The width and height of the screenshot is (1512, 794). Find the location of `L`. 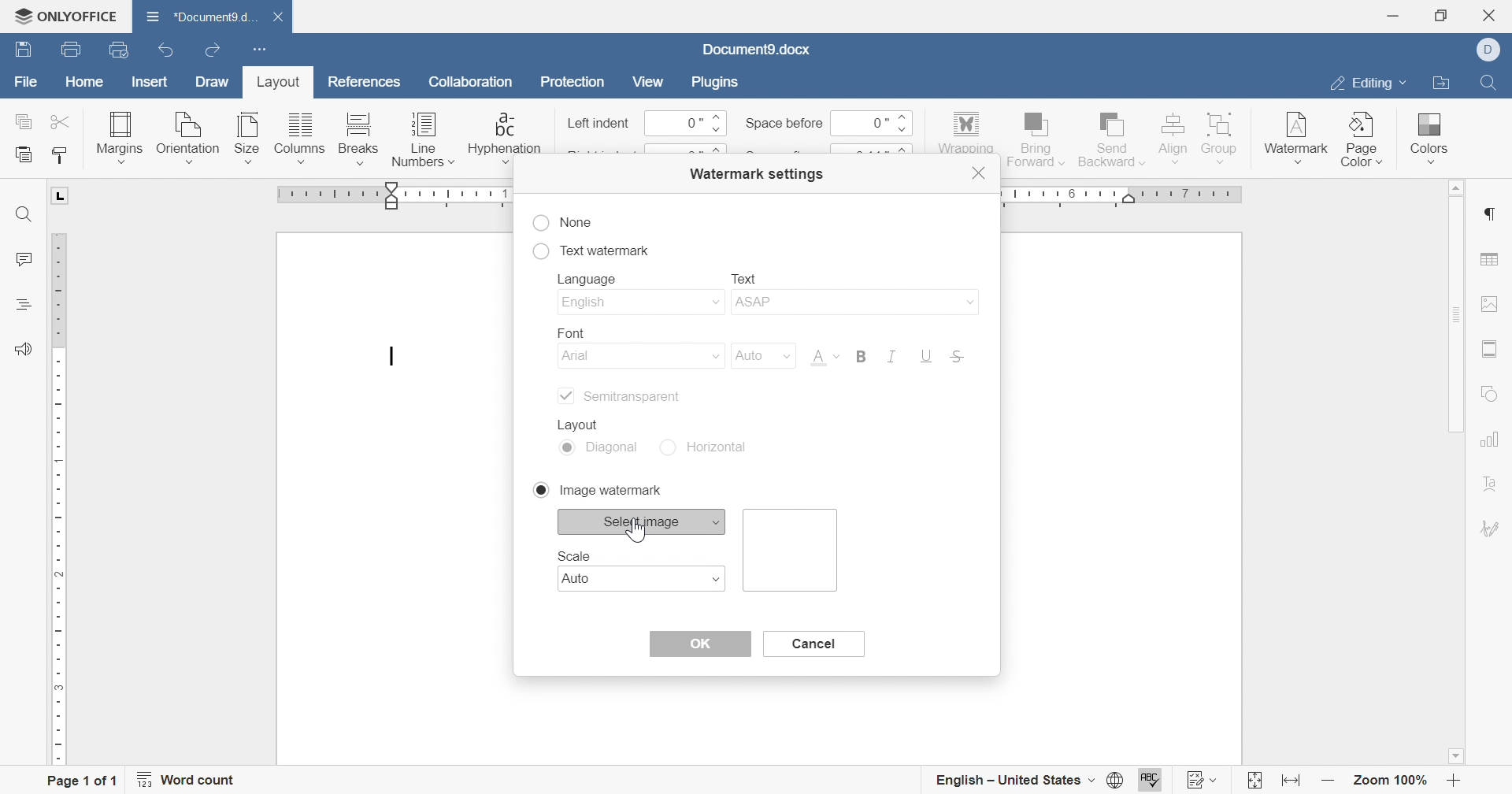

L is located at coordinates (62, 195).